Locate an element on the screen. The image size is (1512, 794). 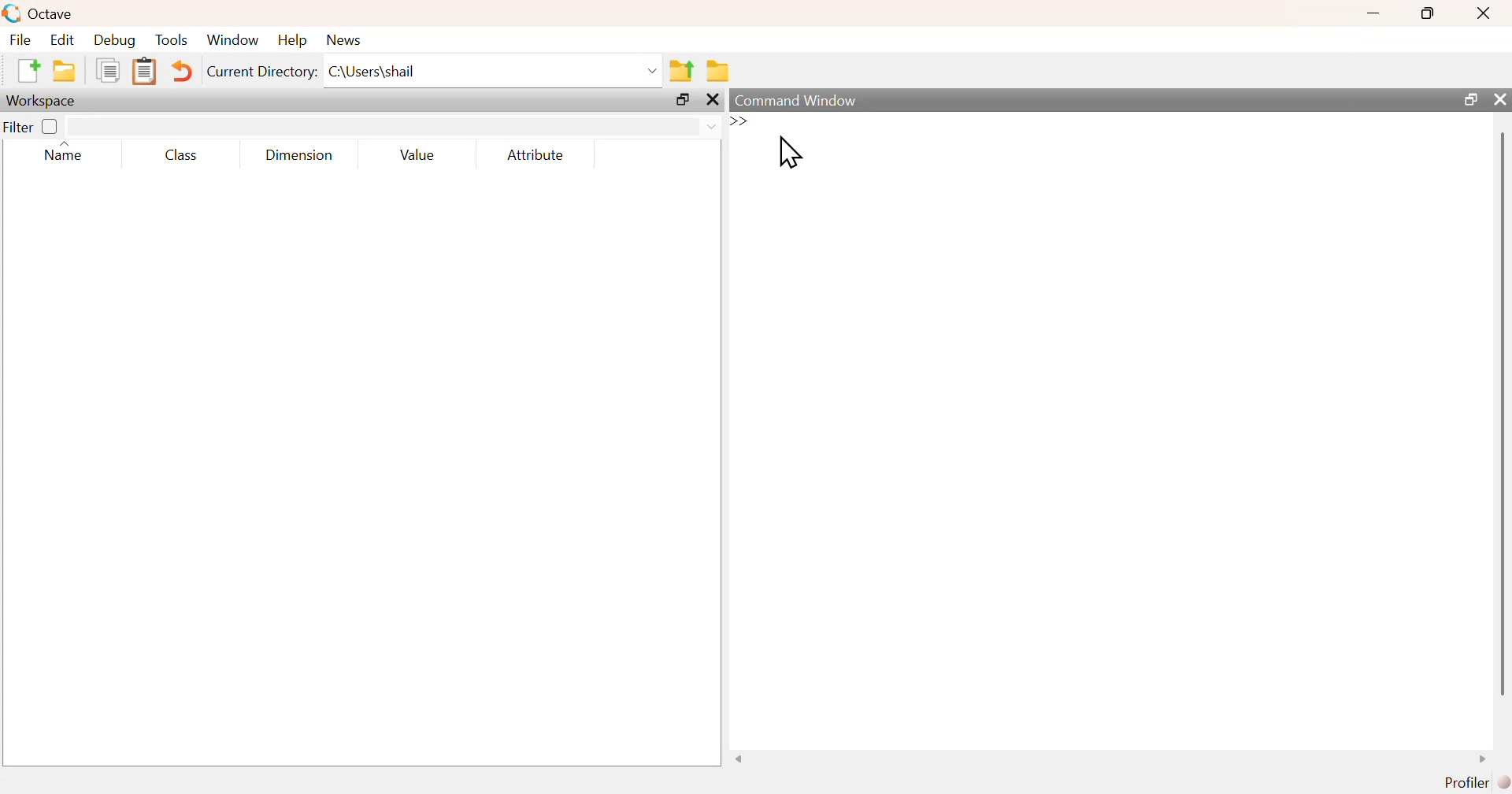
Attribute is located at coordinates (537, 154).